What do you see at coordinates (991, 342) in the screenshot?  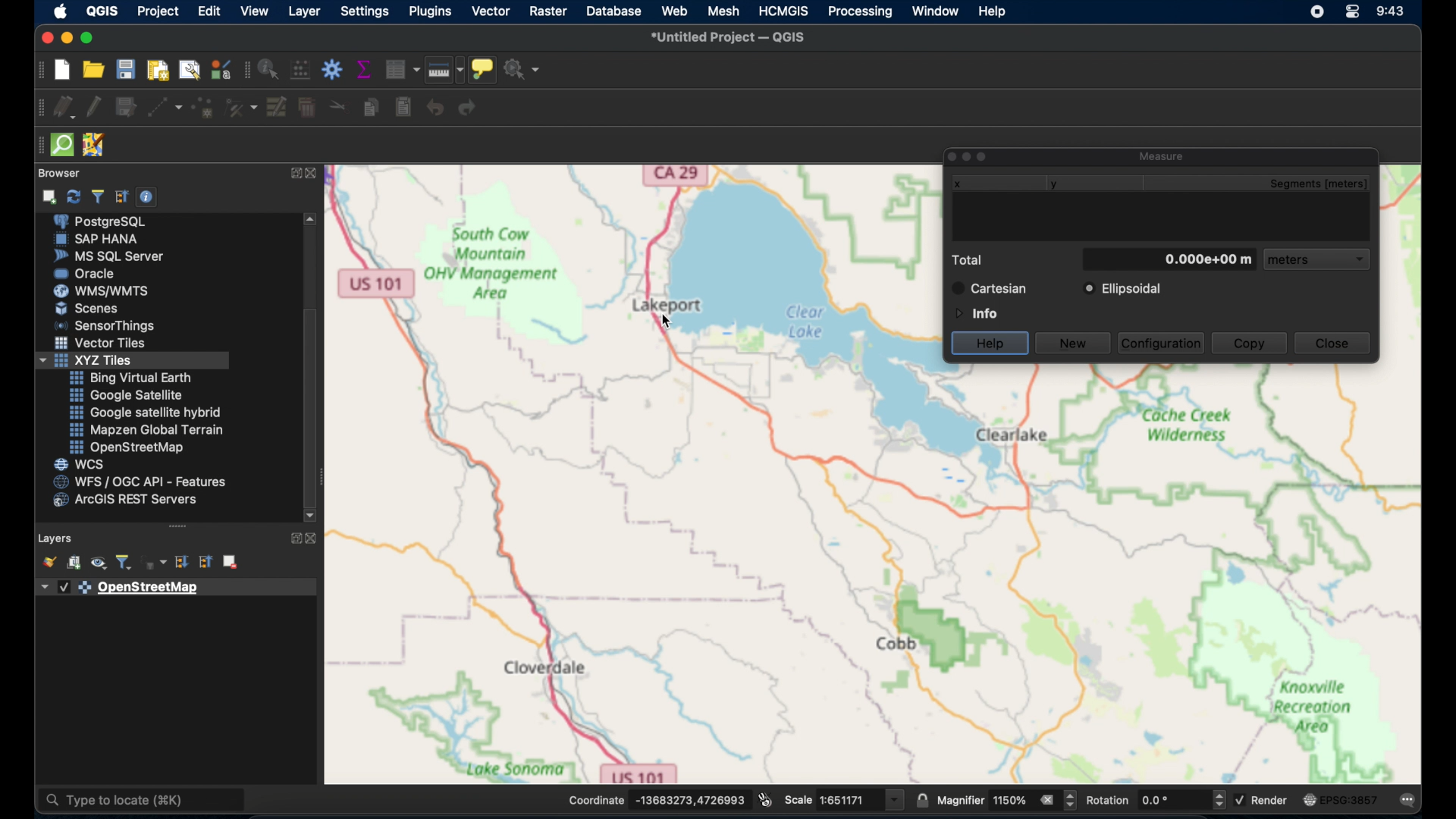 I see `help` at bounding box center [991, 342].